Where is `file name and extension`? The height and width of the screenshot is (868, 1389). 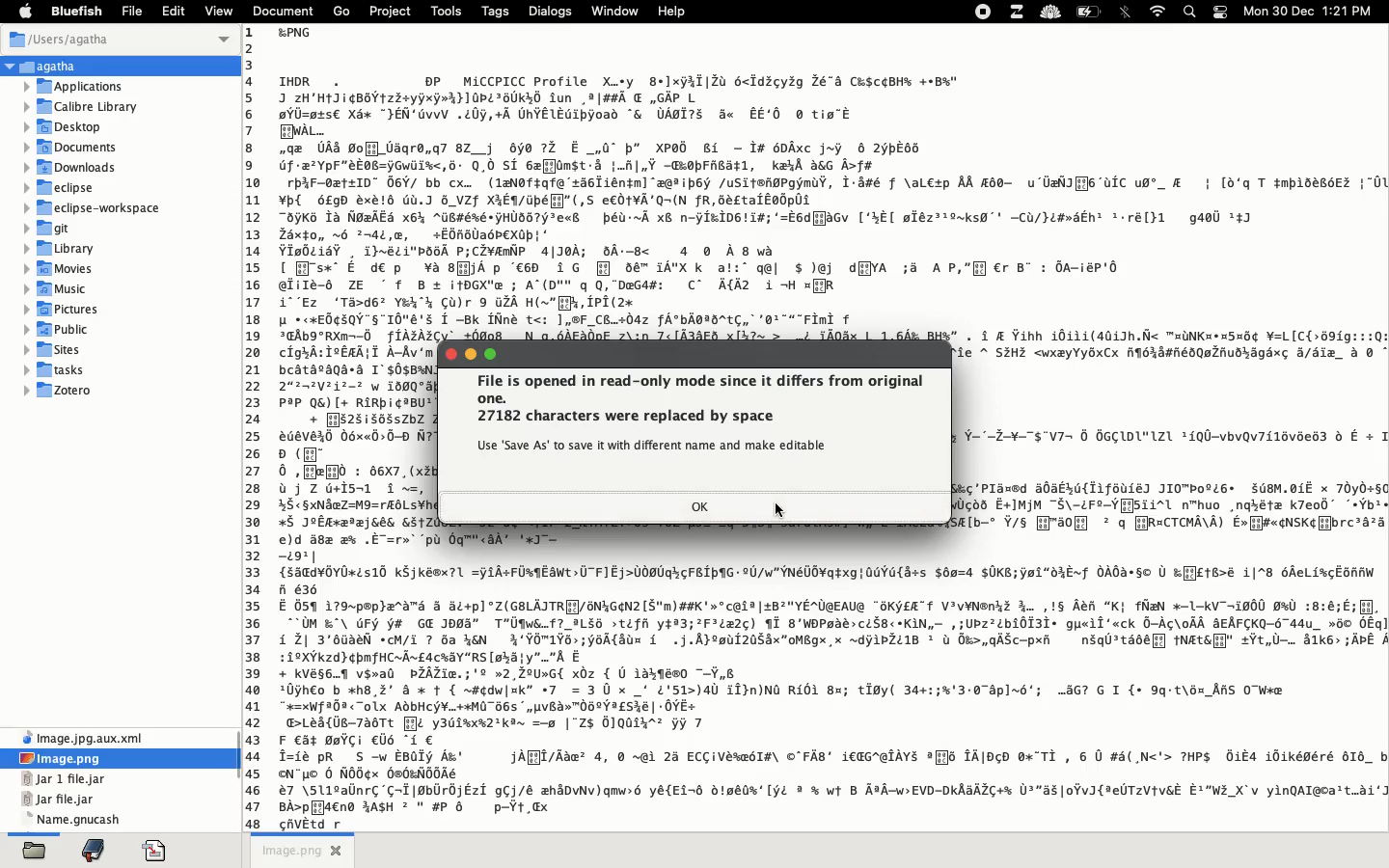 file name and extension is located at coordinates (67, 800).